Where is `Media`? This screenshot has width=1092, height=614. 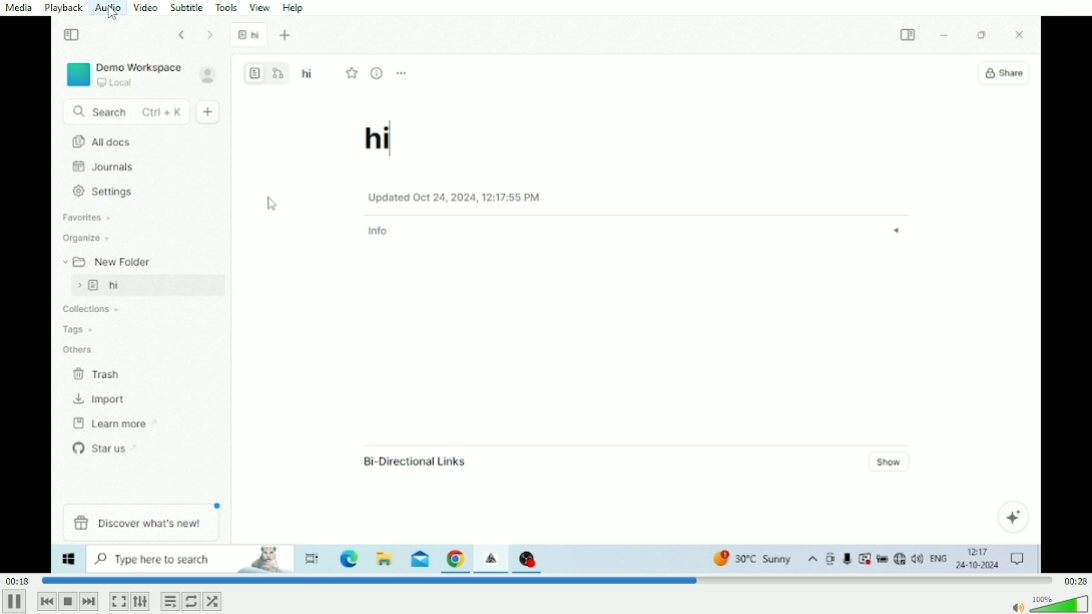
Media is located at coordinates (20, 8).